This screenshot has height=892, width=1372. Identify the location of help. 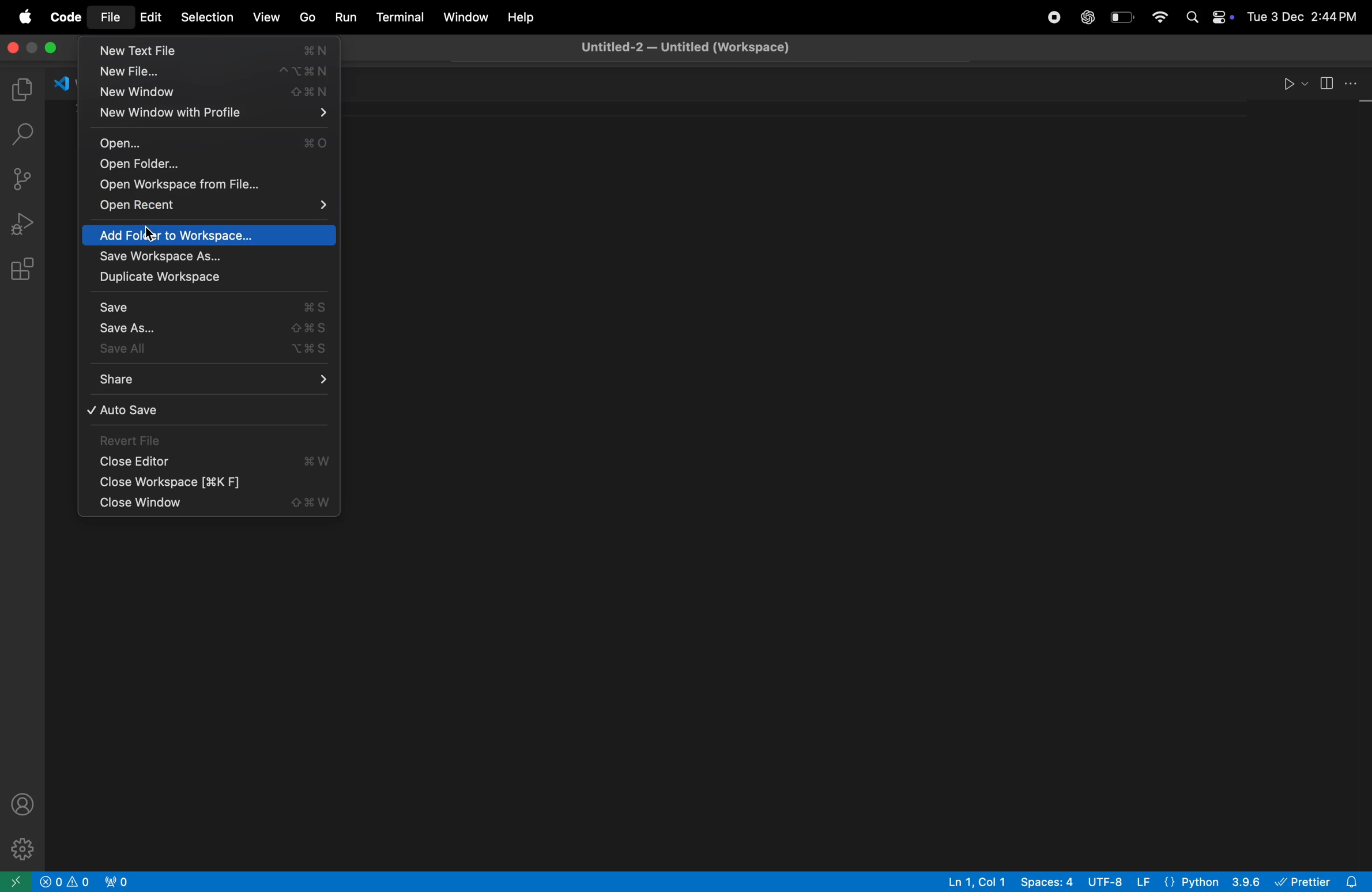
(520, 17).